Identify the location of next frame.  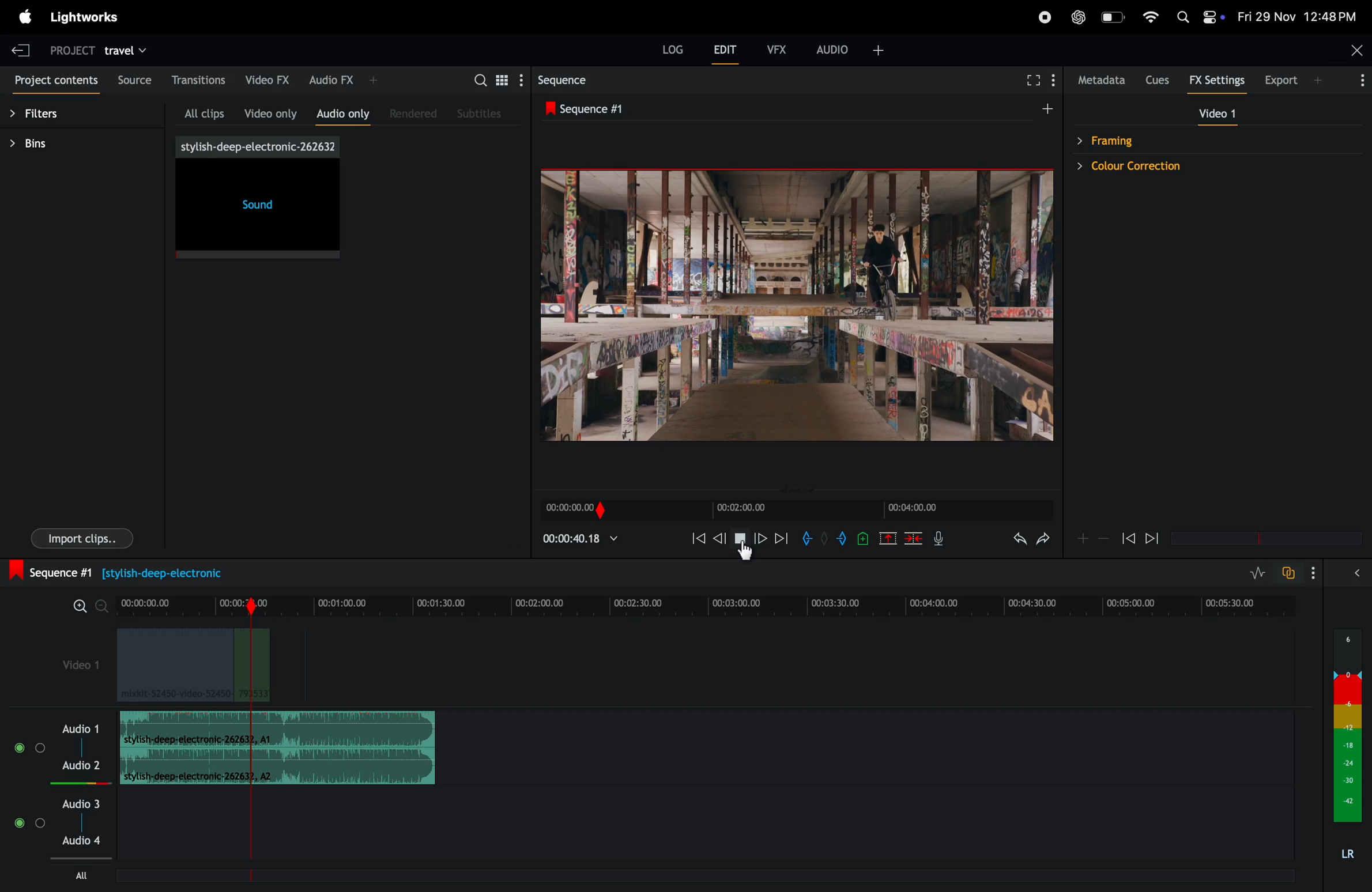
(763, 537).